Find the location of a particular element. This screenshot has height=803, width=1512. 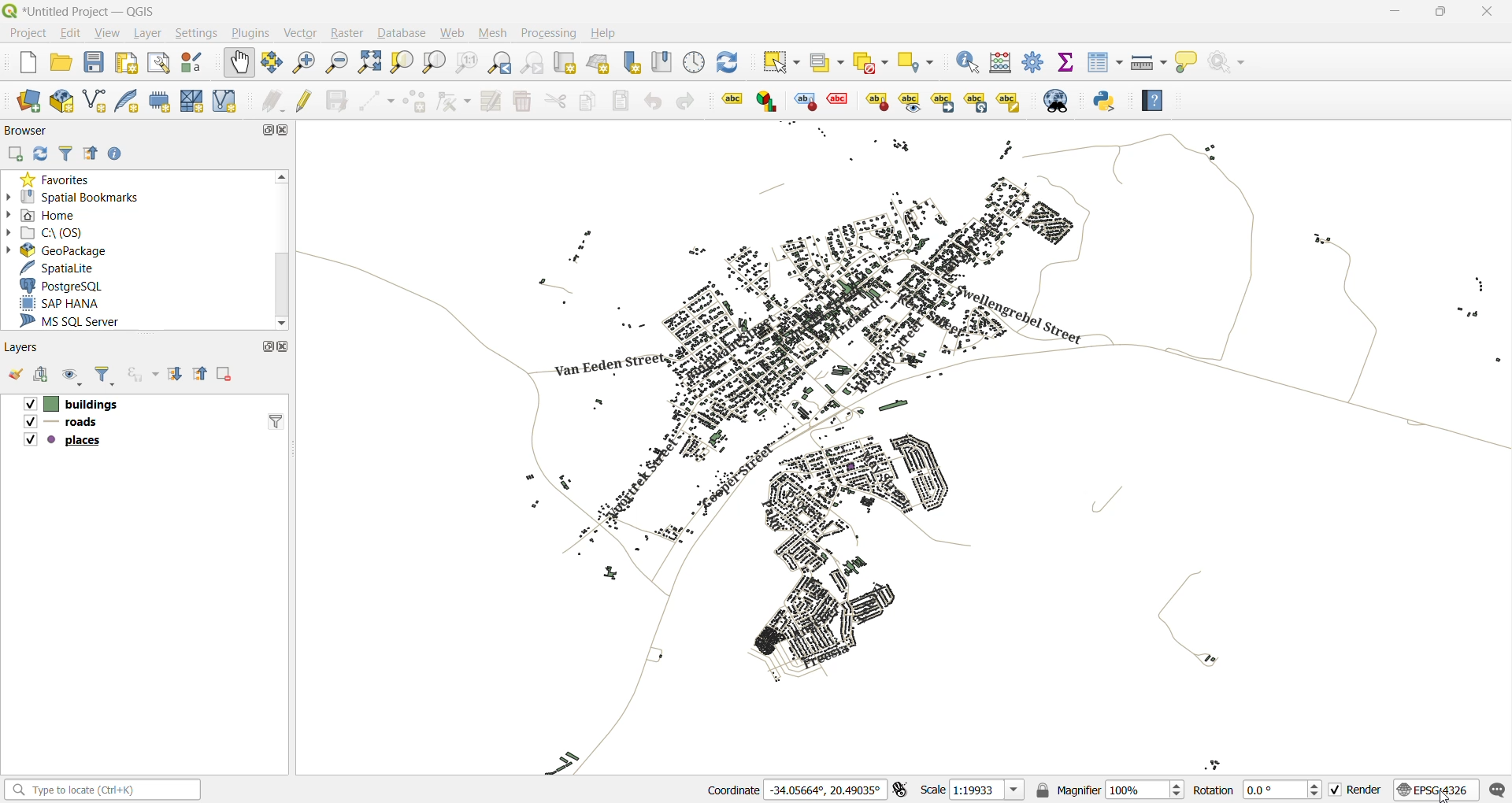

redo is located at coordinates (690, 102).